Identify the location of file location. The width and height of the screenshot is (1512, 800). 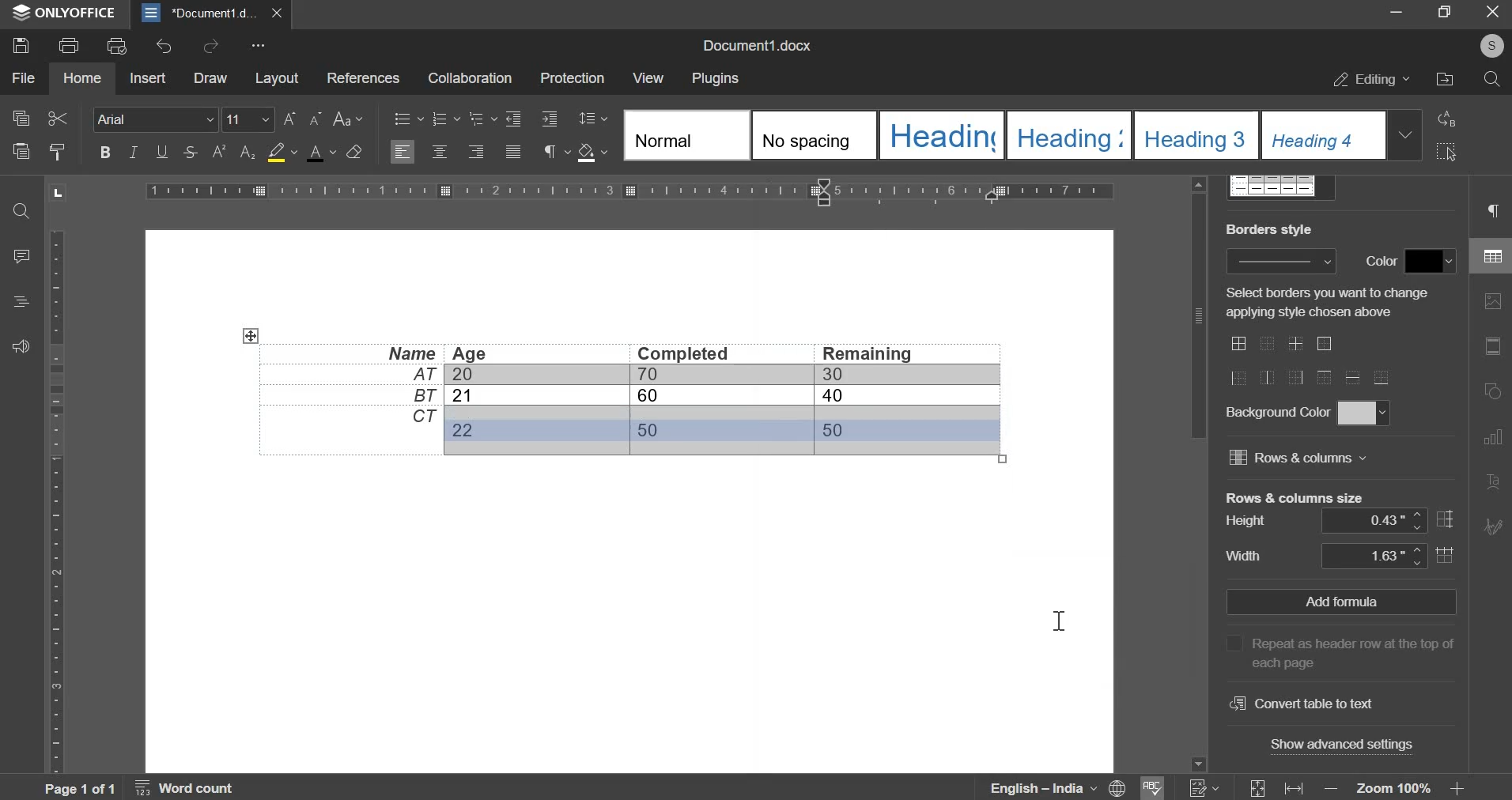
(1444, 79).